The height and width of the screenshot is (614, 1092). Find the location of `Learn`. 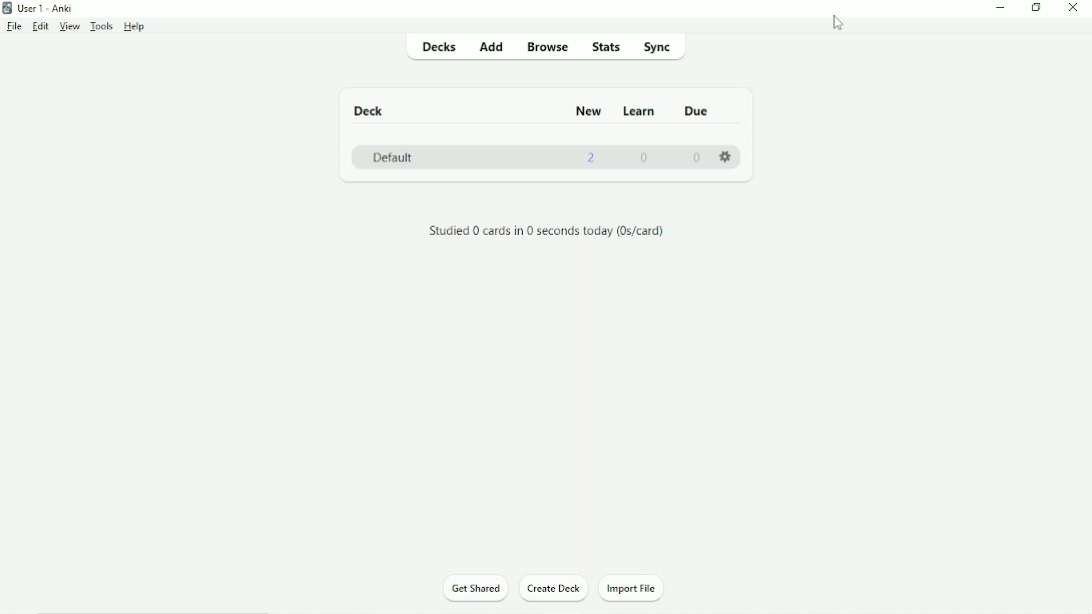

Learn is located at coordinates (641, 111).